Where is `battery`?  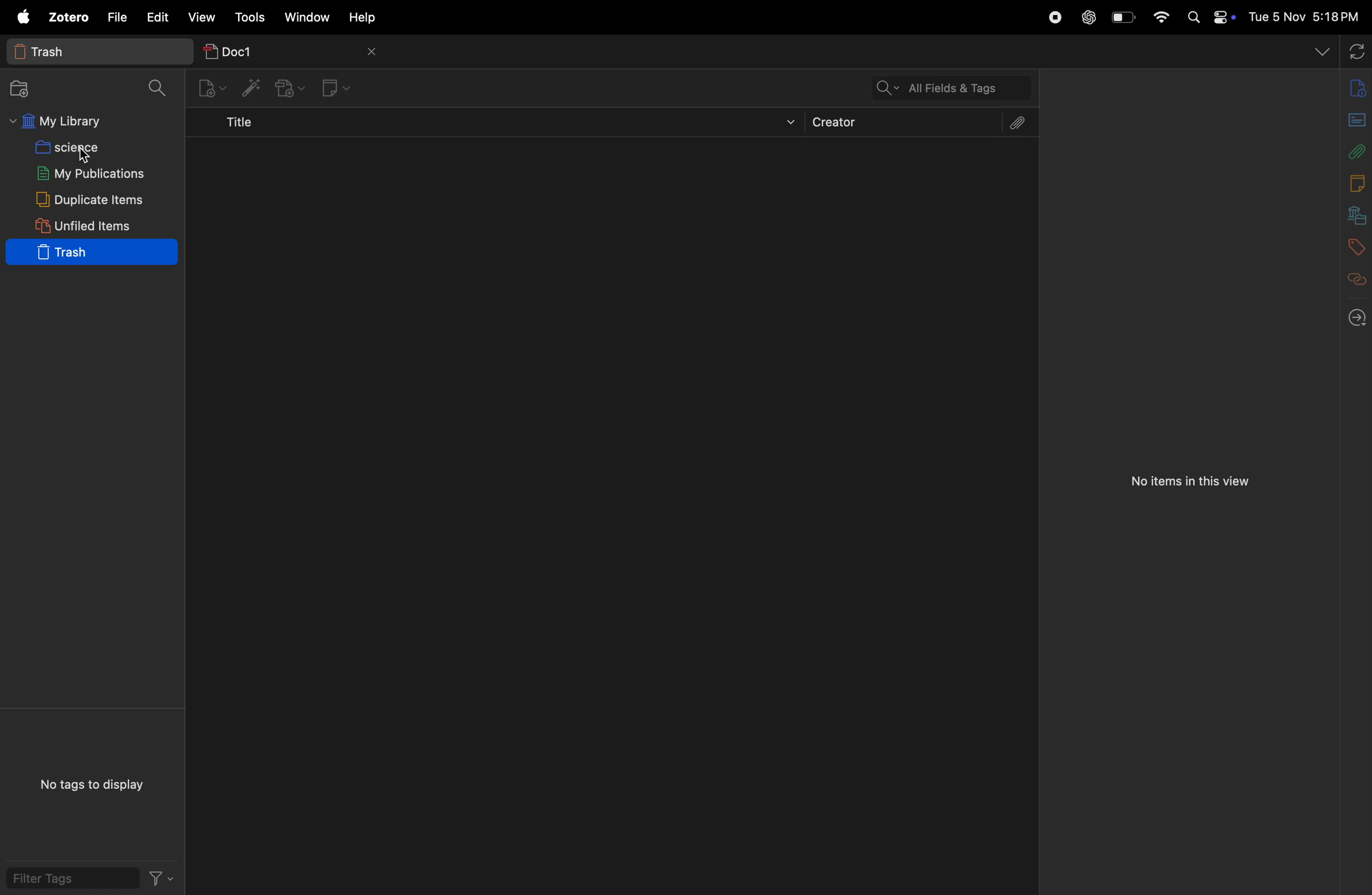
battery is located at coordinates (1120, 17).